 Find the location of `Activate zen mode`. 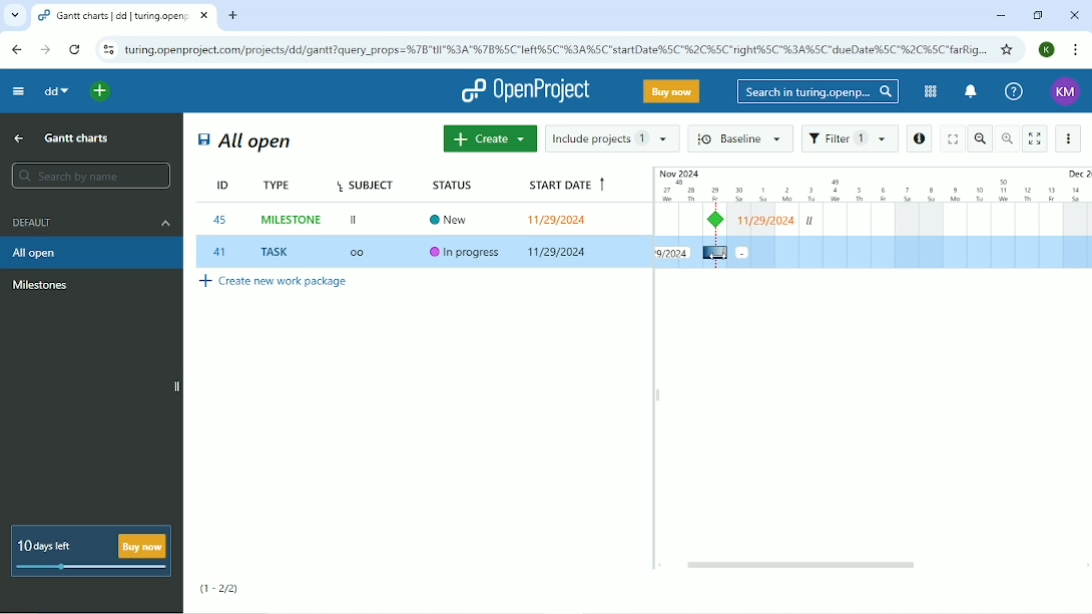

Activate zen mode is located at coordinates (1035, 139).